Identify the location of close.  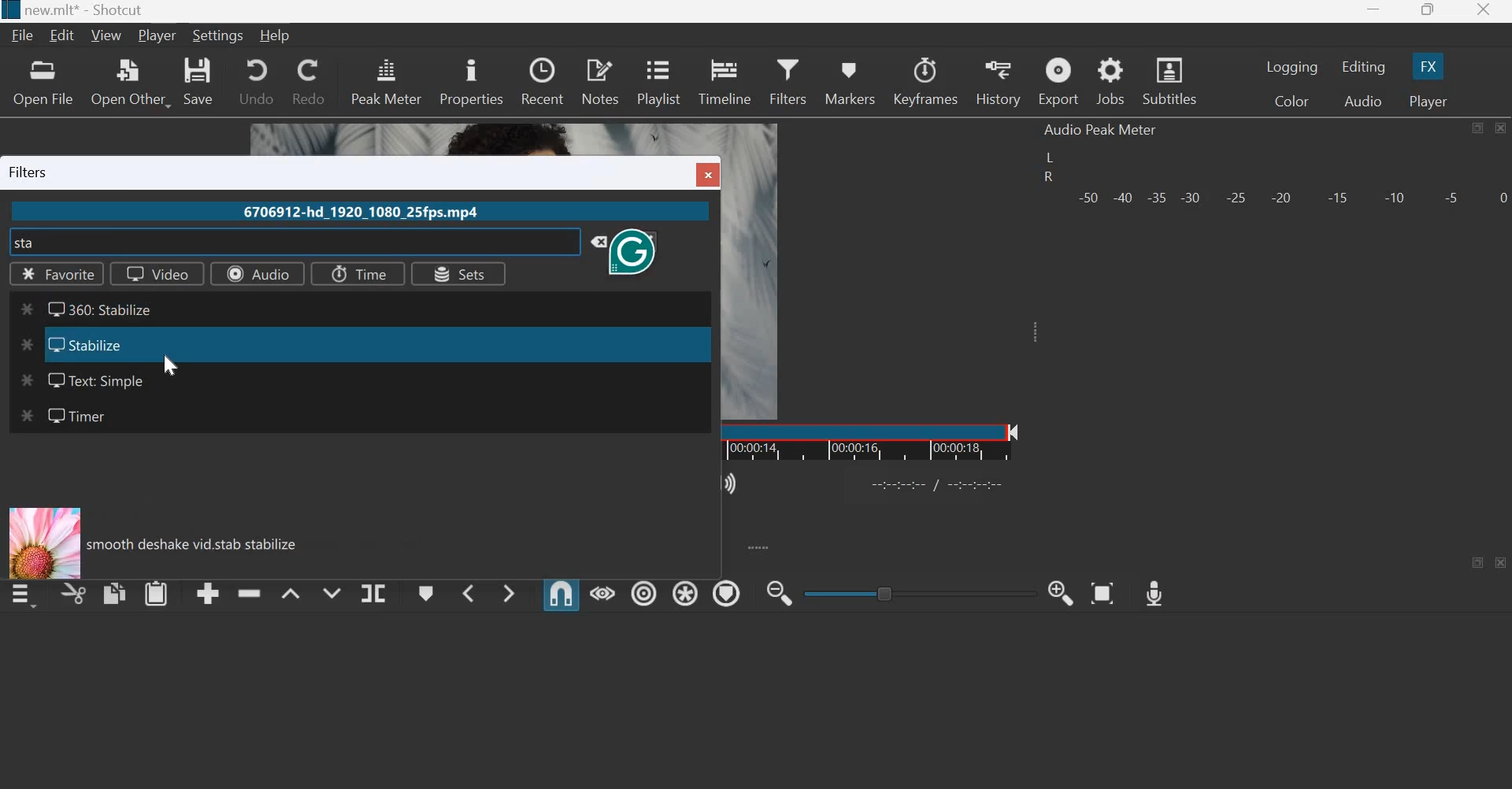
(1501, 562).